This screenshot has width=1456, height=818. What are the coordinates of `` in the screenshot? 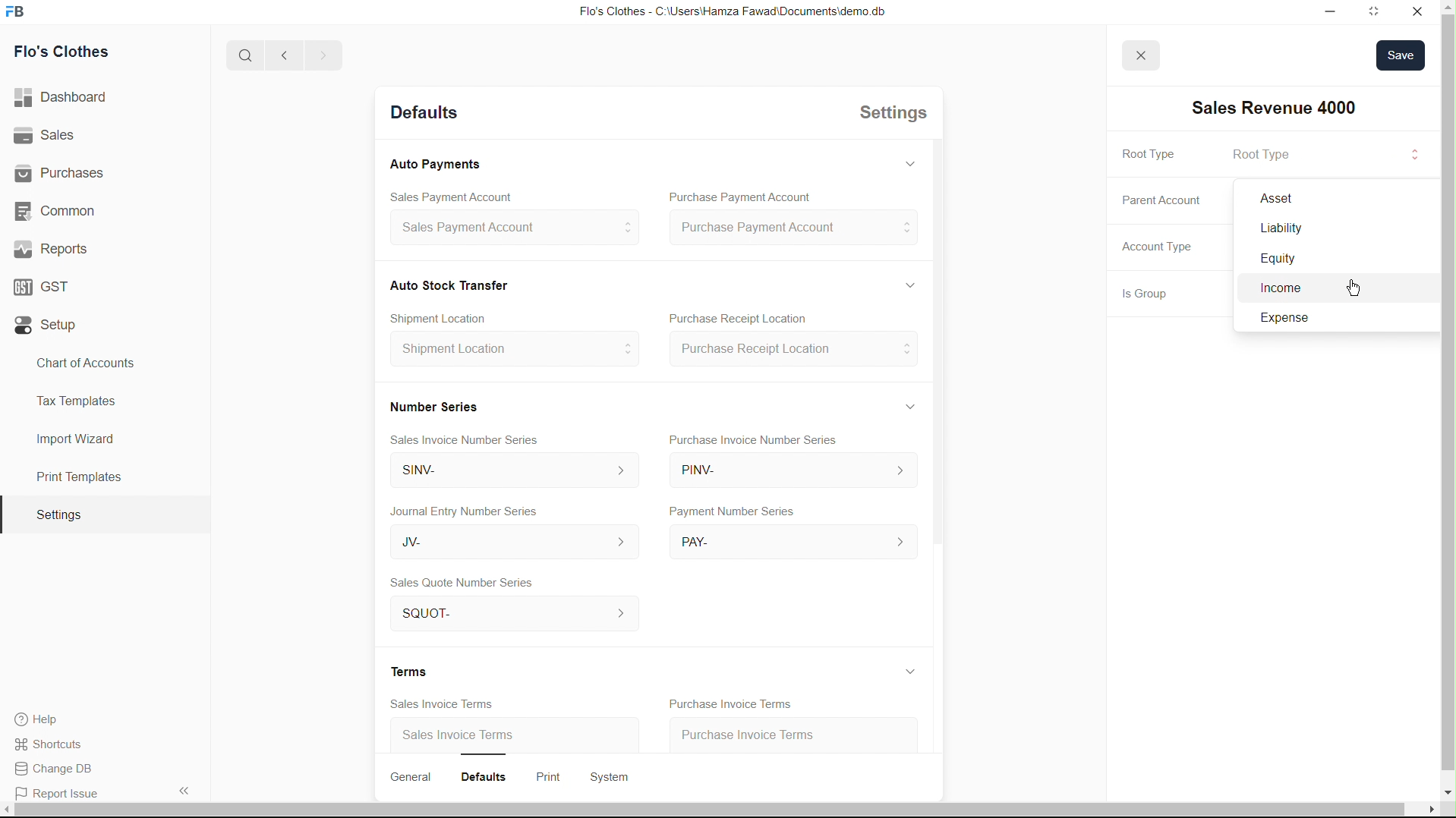 It's located at (1413, 156).